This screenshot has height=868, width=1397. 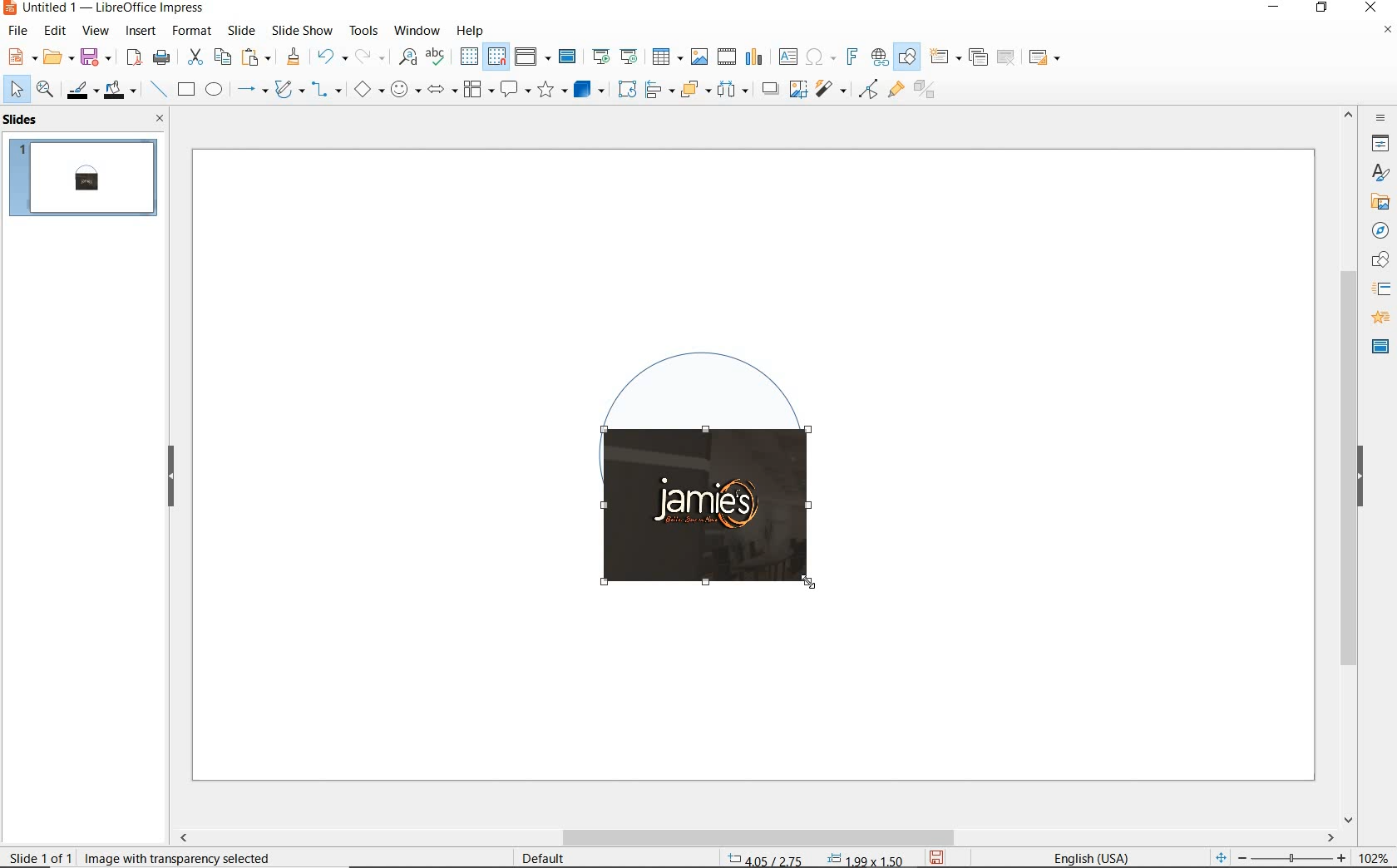 I want to click on spelling, so click(x=435, y=57).